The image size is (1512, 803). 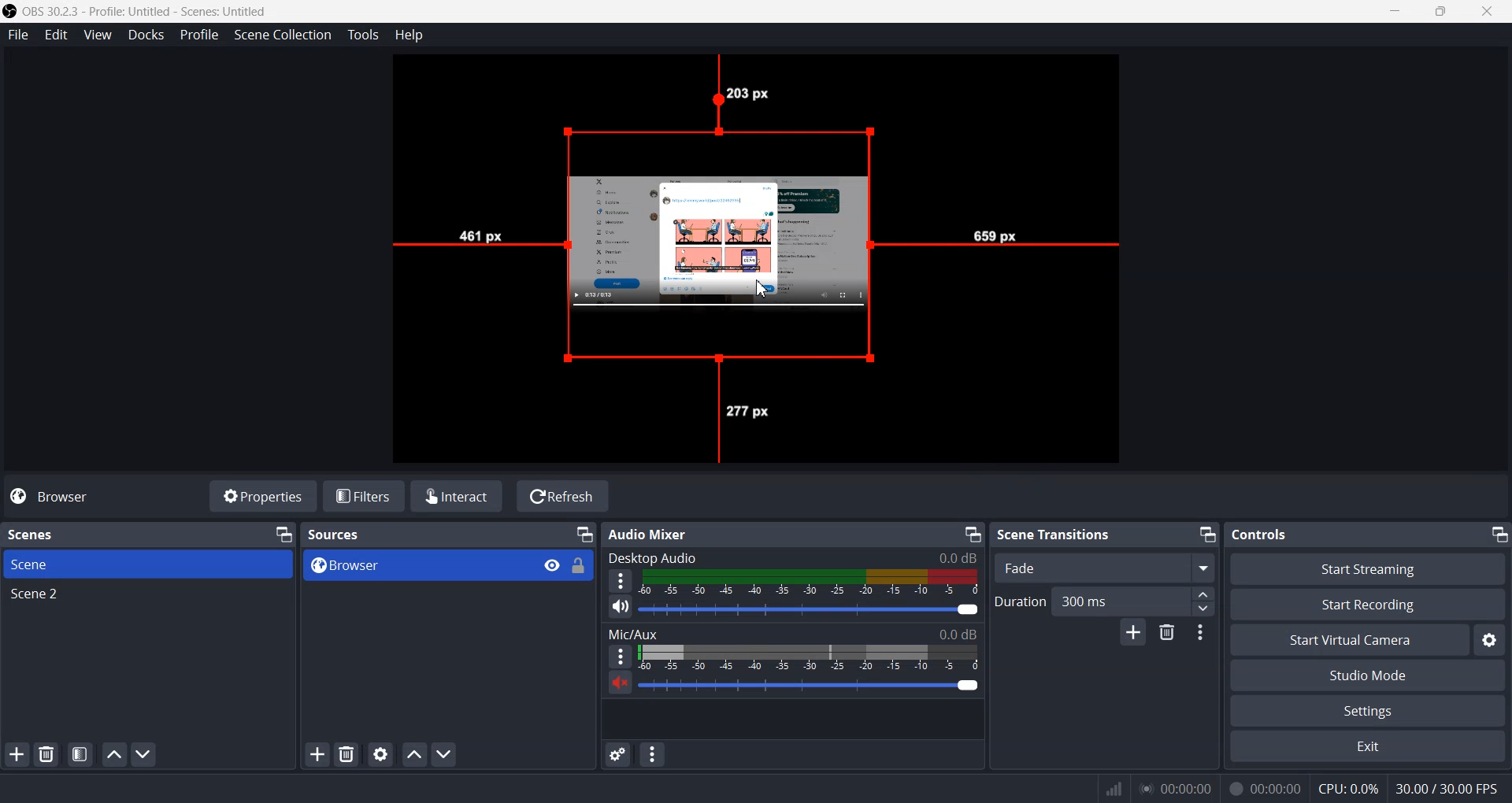 What do you see at coordinates (285, 534) in the screenshot?
I see `Minimize` at bounding box center [285, 534].